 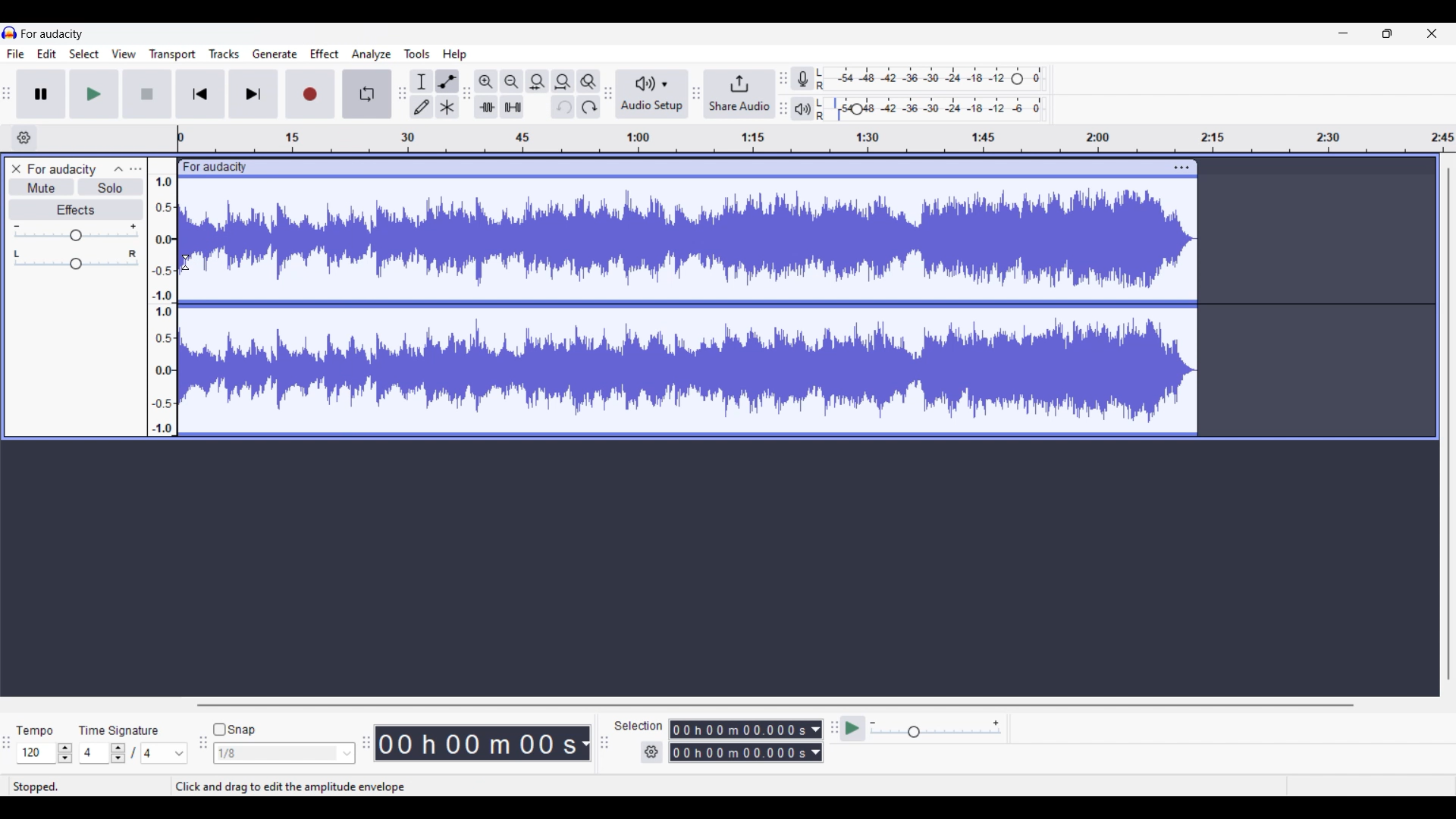 What do you see at coordinates (307, 93) in the screenshot?
I see `Record/Record new track` at bounding box center [307, 93].